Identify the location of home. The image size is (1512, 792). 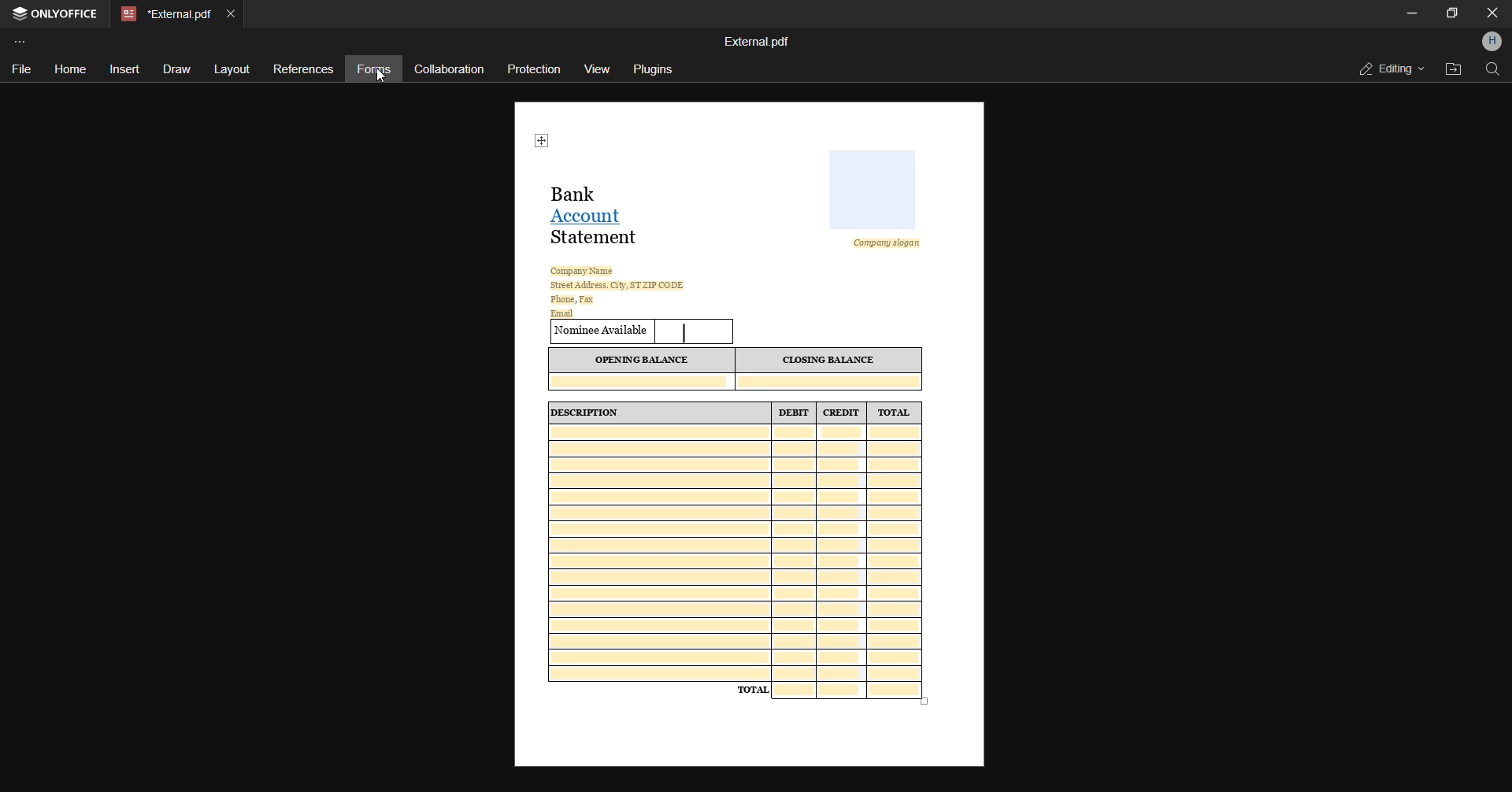
(65, 66).